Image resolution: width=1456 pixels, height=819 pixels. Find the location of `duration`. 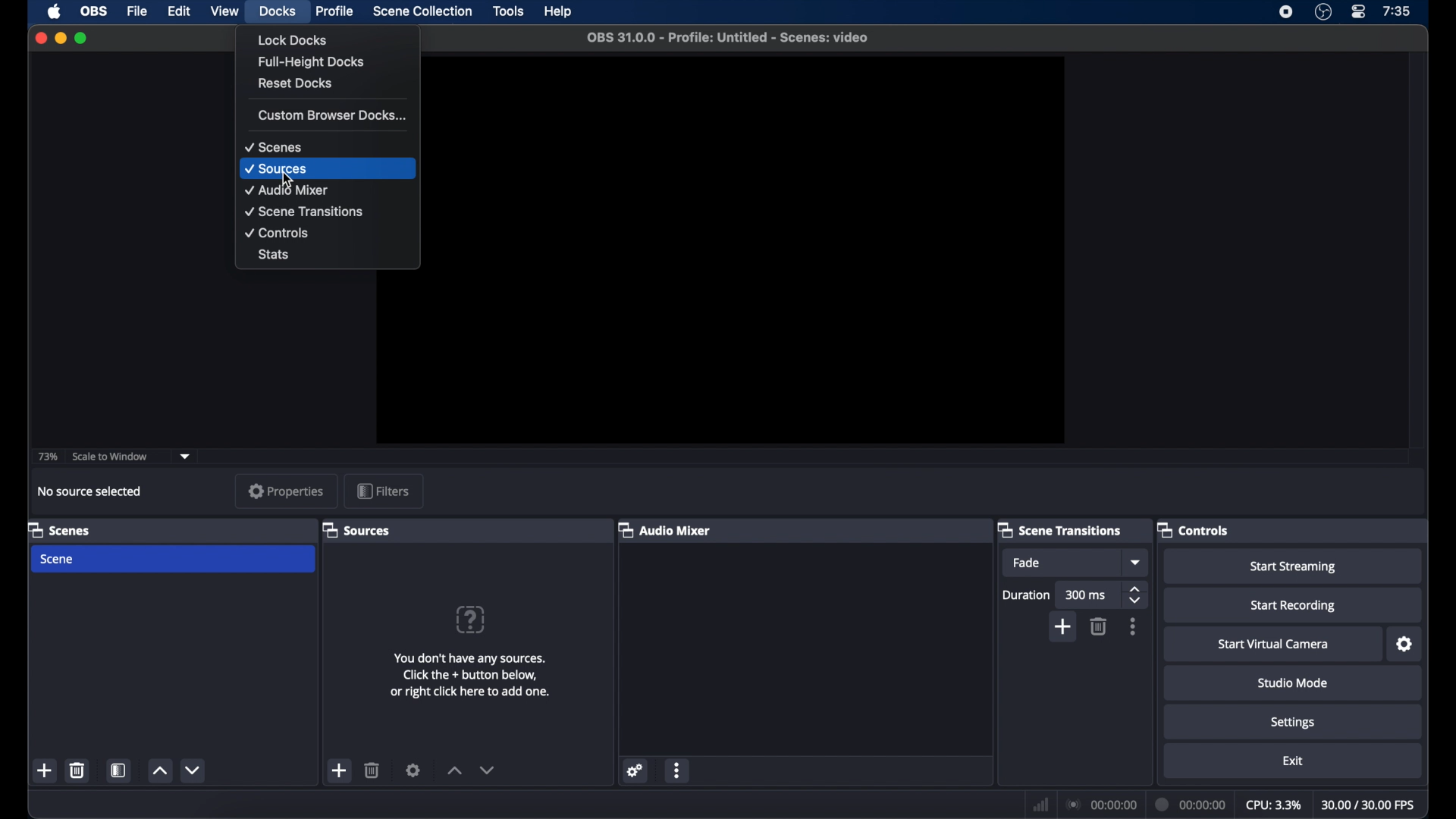

duration is located at coordinates (1025, 594).